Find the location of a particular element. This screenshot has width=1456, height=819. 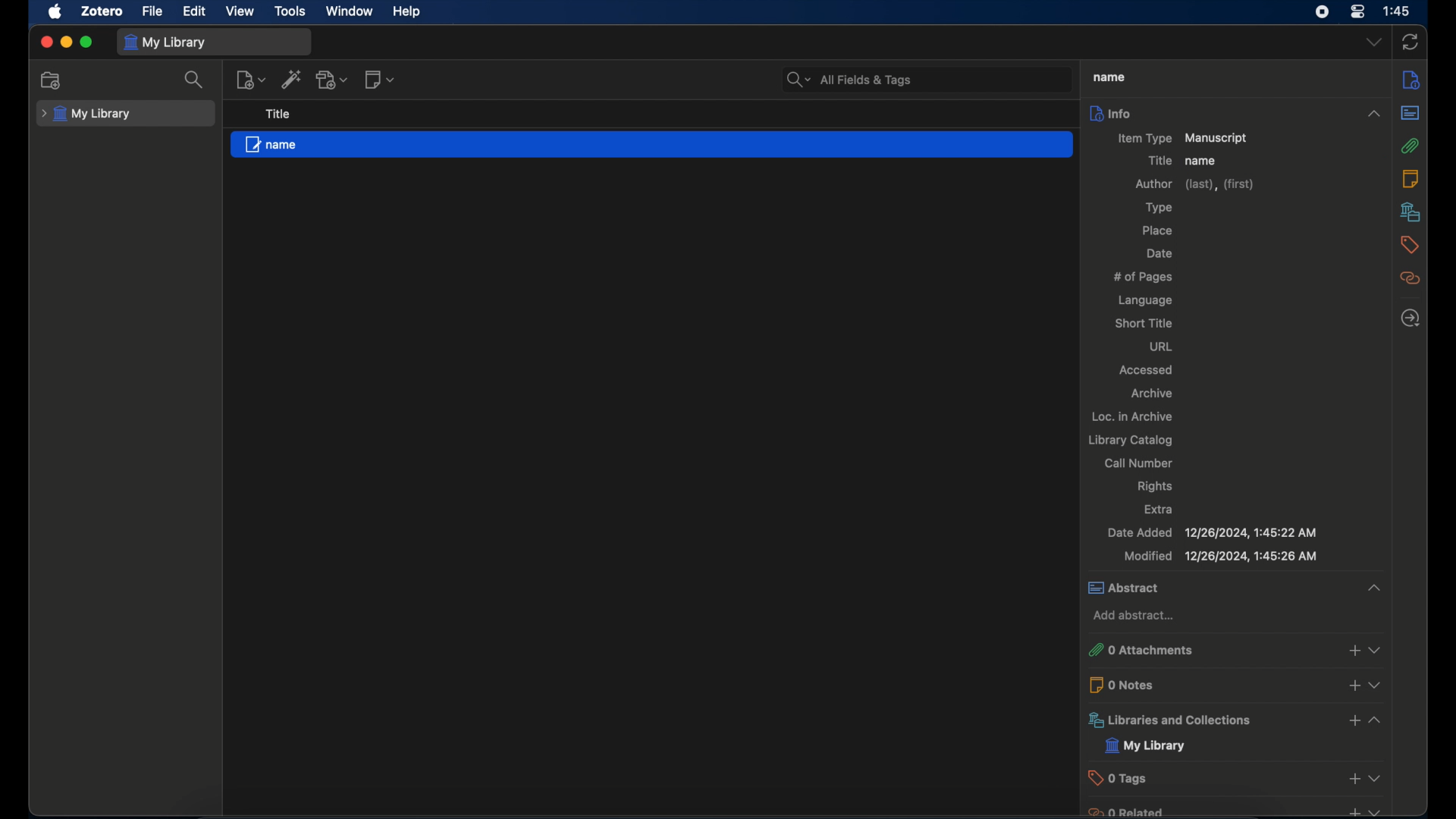

name is located at coordinates (1113, 77).